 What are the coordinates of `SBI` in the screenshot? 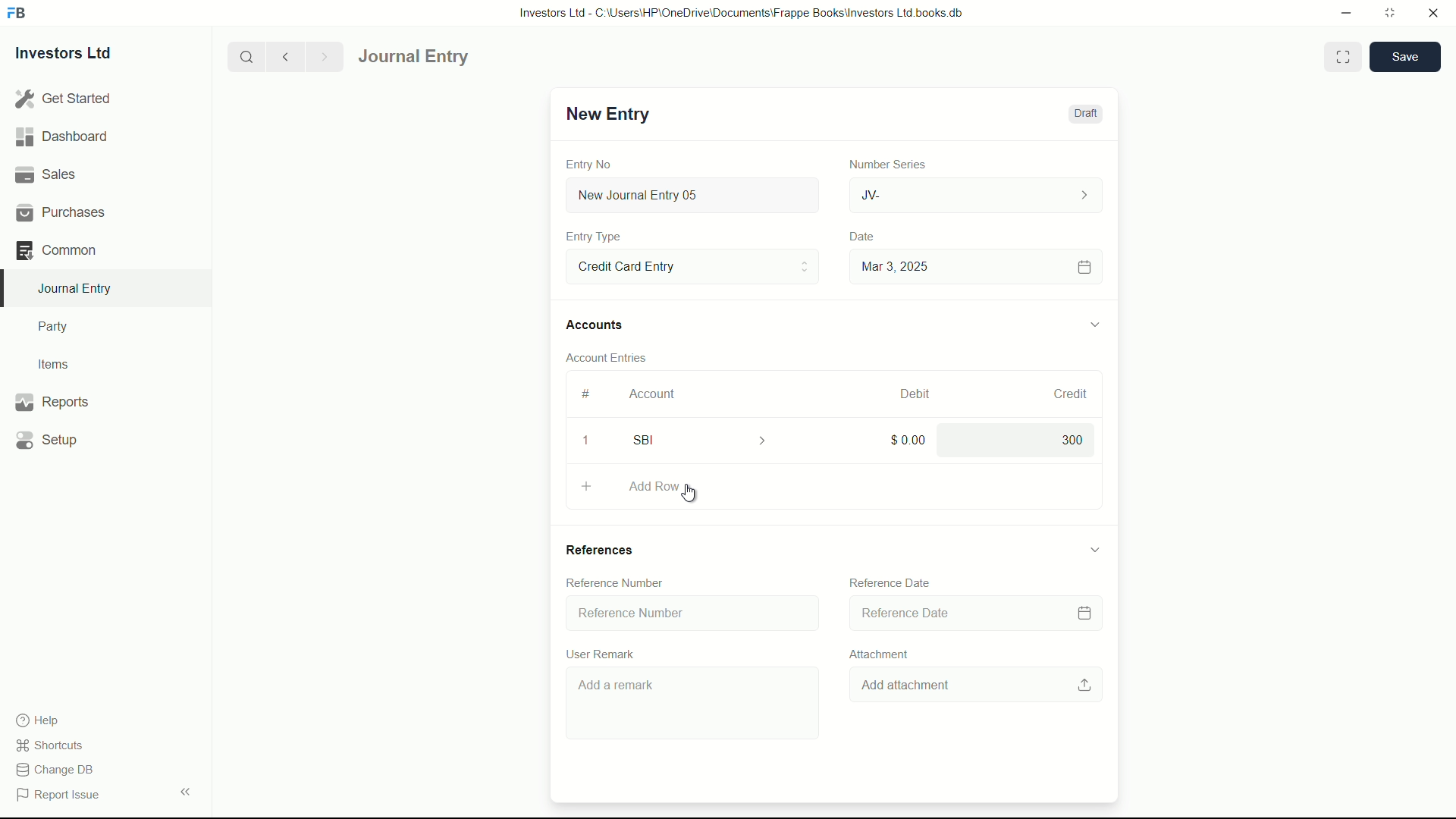 It's located at (710, 439).